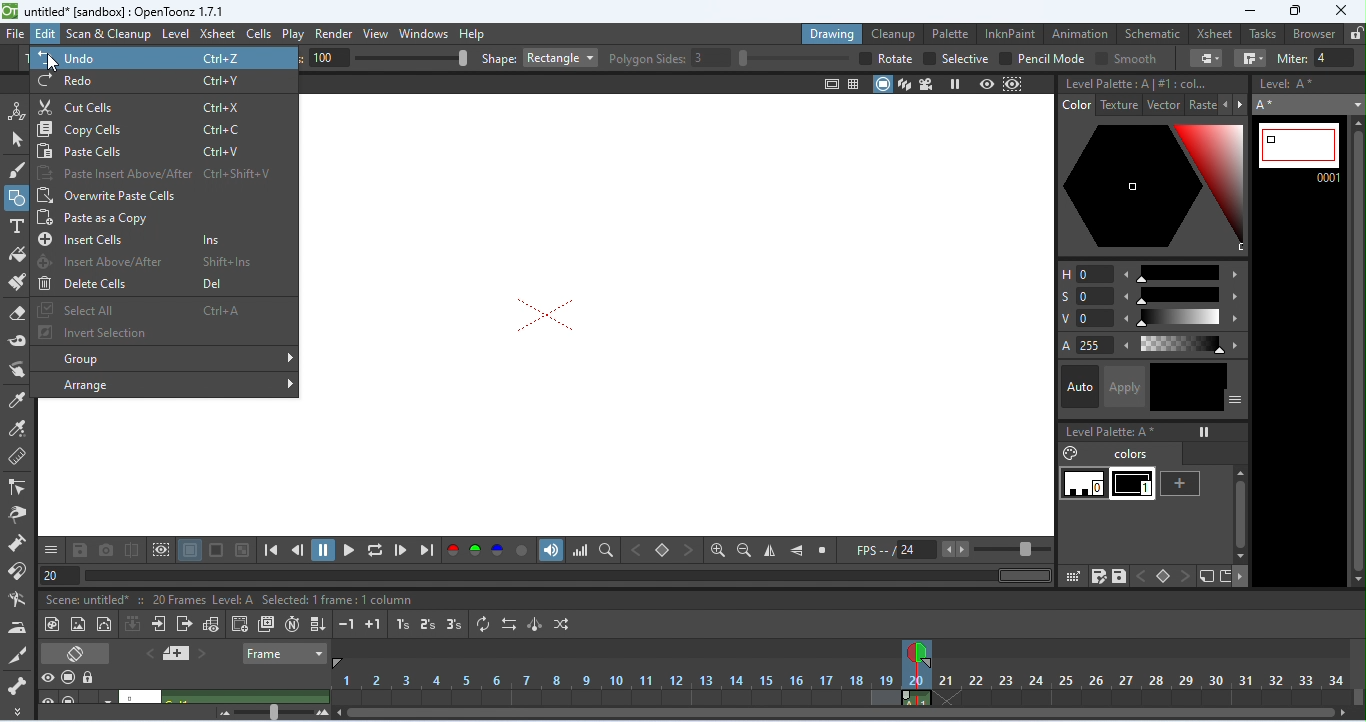 The height and width of the screenshot is (722, 1366). What do you see at coordinates (1073, 578) in the screenshot?
I see `click and drag palette into studio palette` at bounding box center [1073, 578].